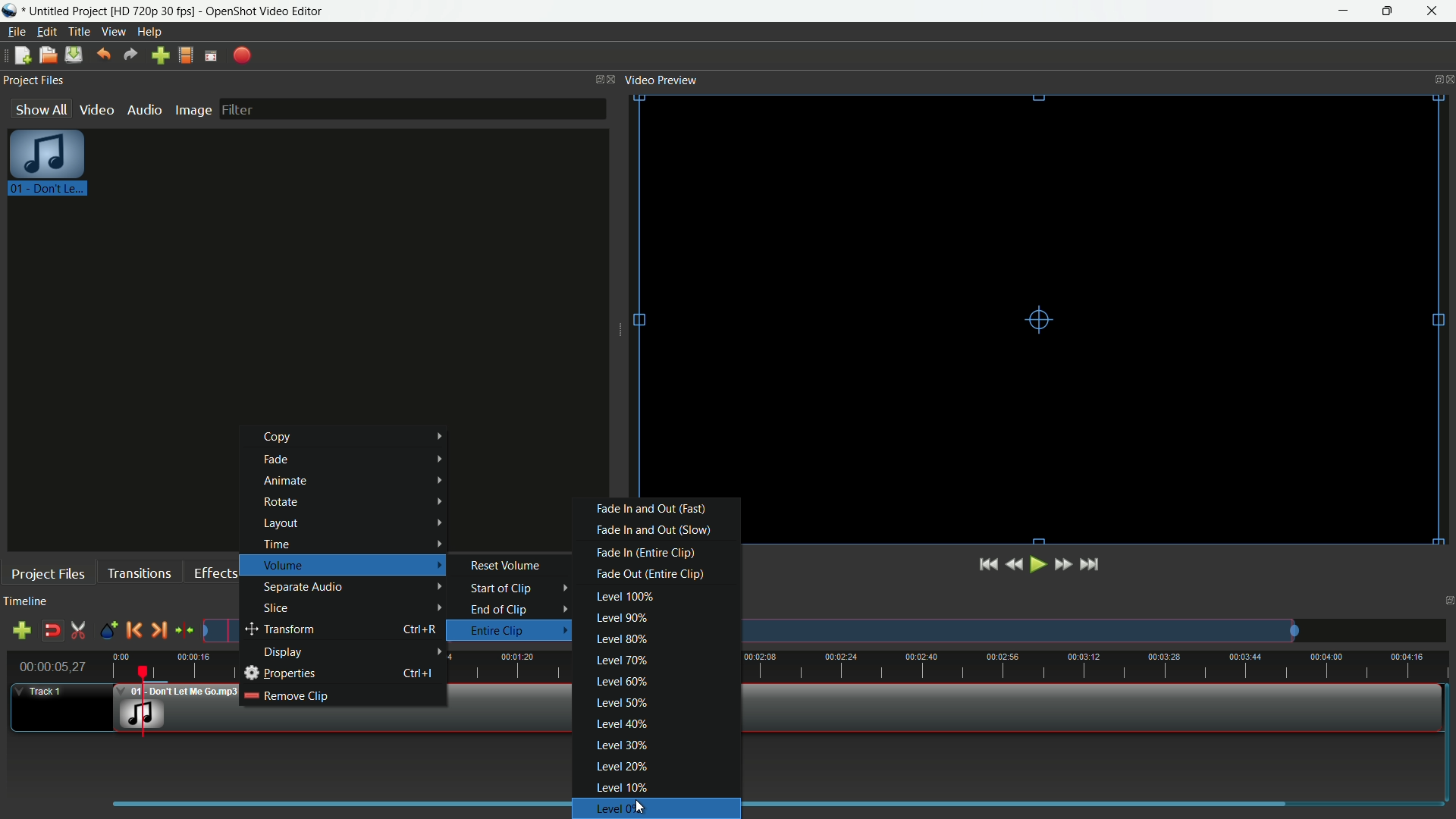 Image resolution: width=1456 pixels, height=819 pixels. I want to click on transitions, so click(140, 573).